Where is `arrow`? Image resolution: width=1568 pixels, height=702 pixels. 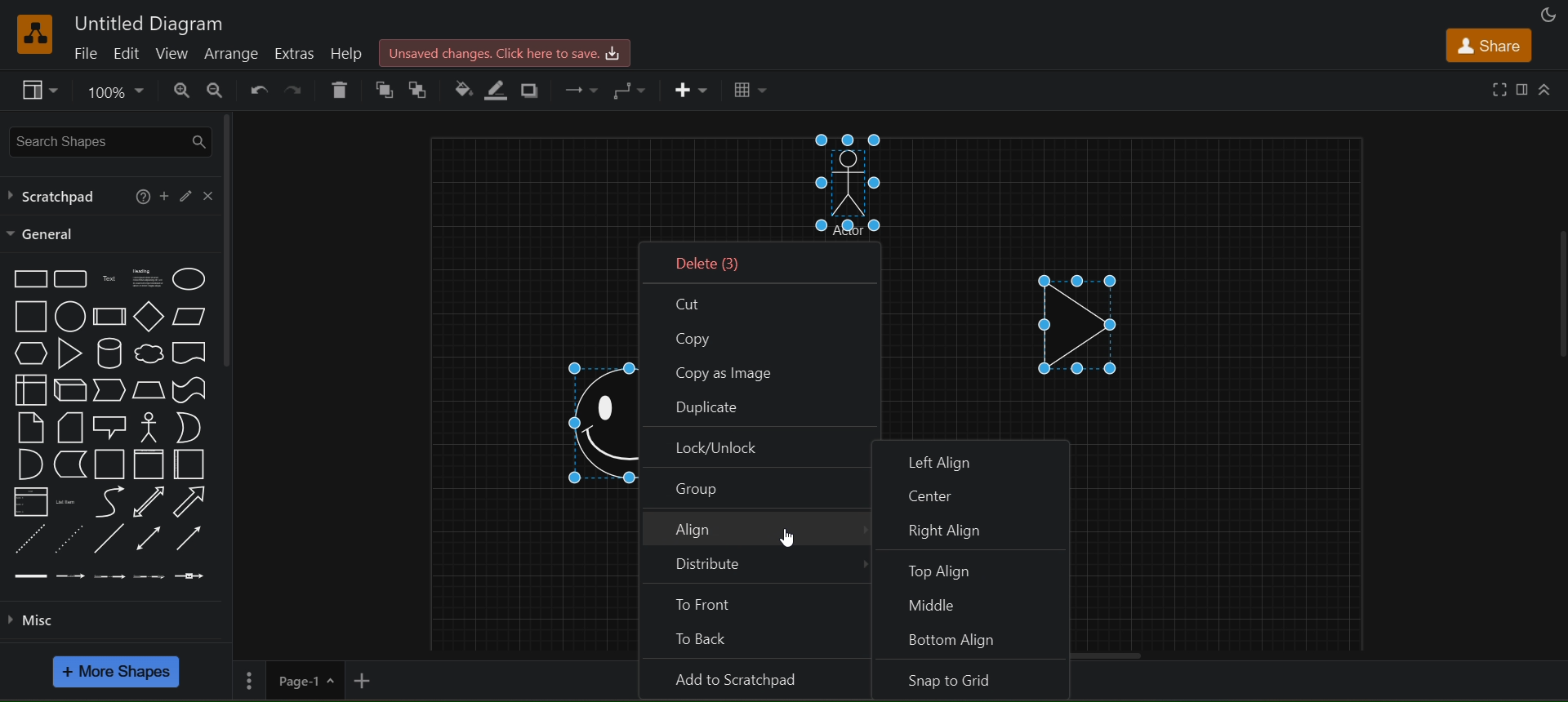
arrow is located at coordinates (192, 503).